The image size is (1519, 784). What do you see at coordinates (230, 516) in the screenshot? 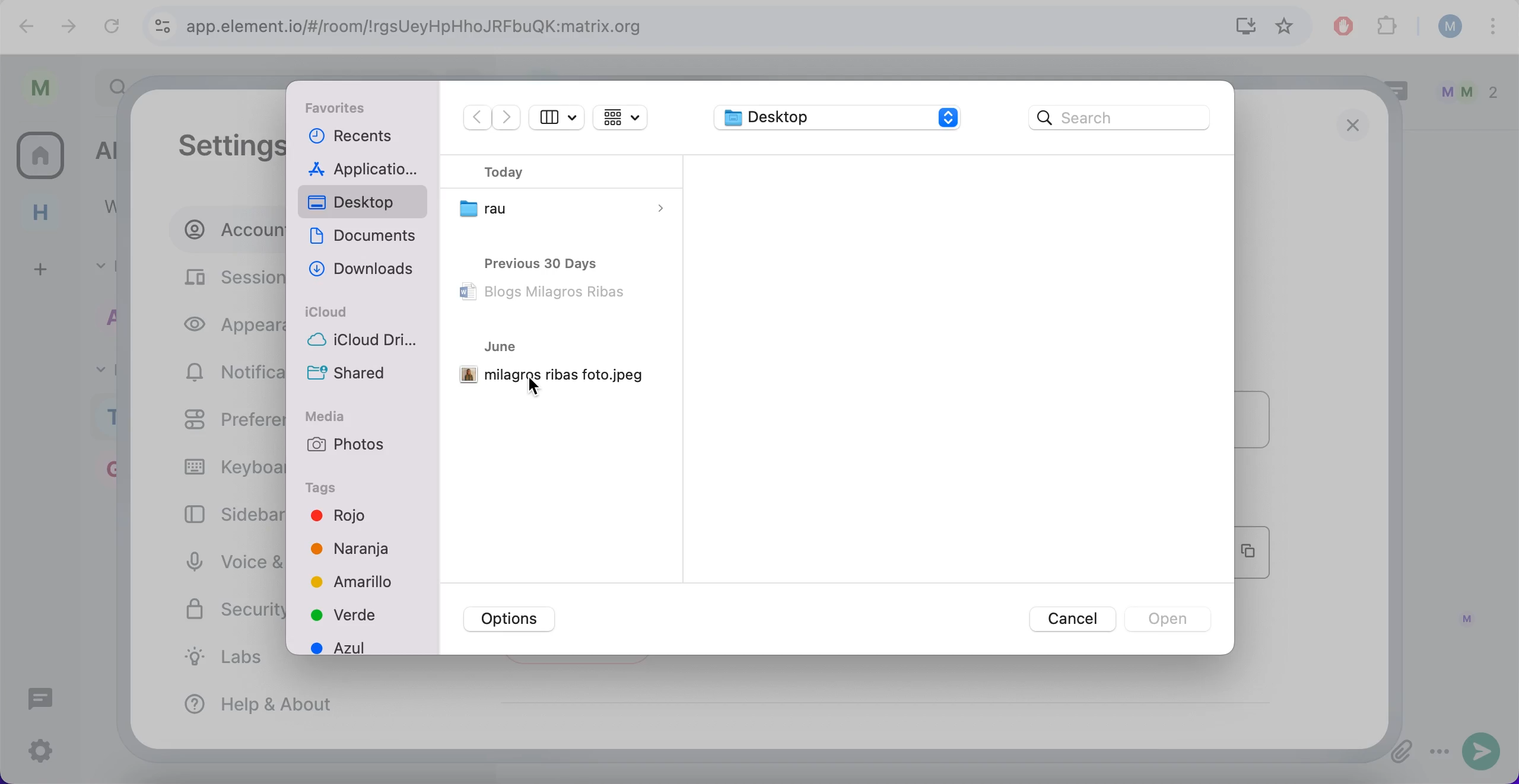
I see `sidebar` at bounding box center [230, 516].